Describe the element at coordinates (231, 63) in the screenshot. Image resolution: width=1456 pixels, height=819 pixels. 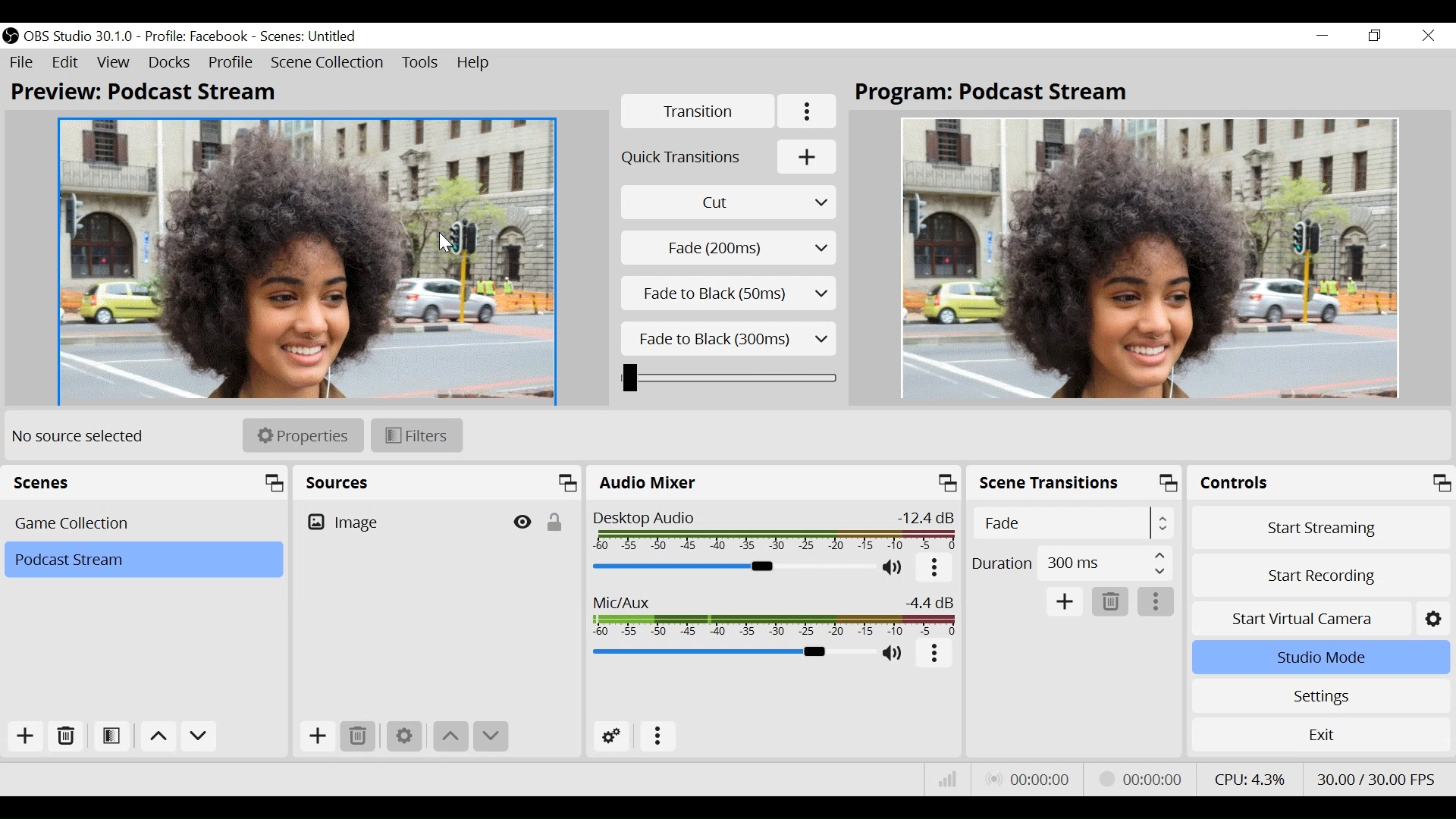
I see `Profile` at that location.